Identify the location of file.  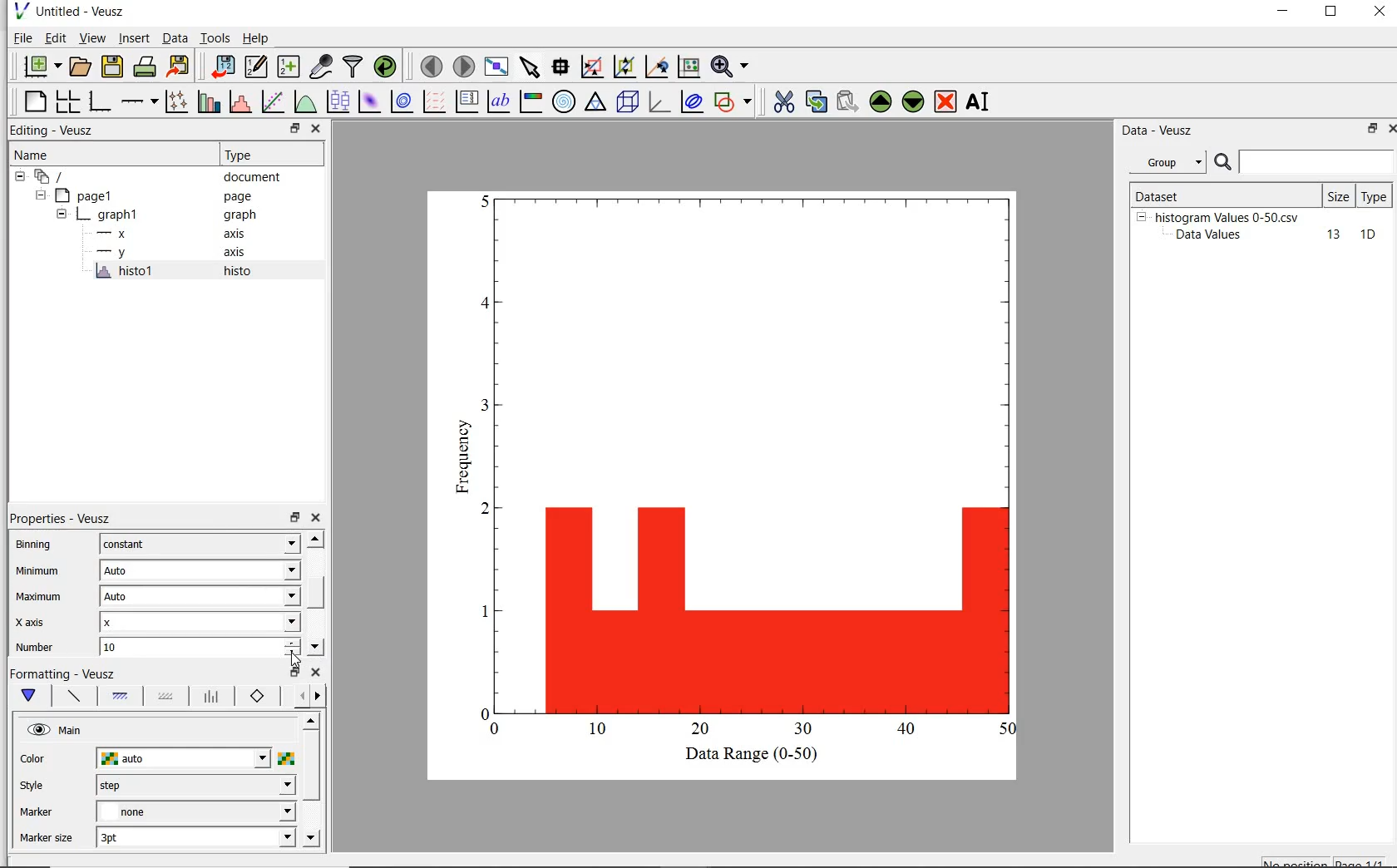
(22, 37).